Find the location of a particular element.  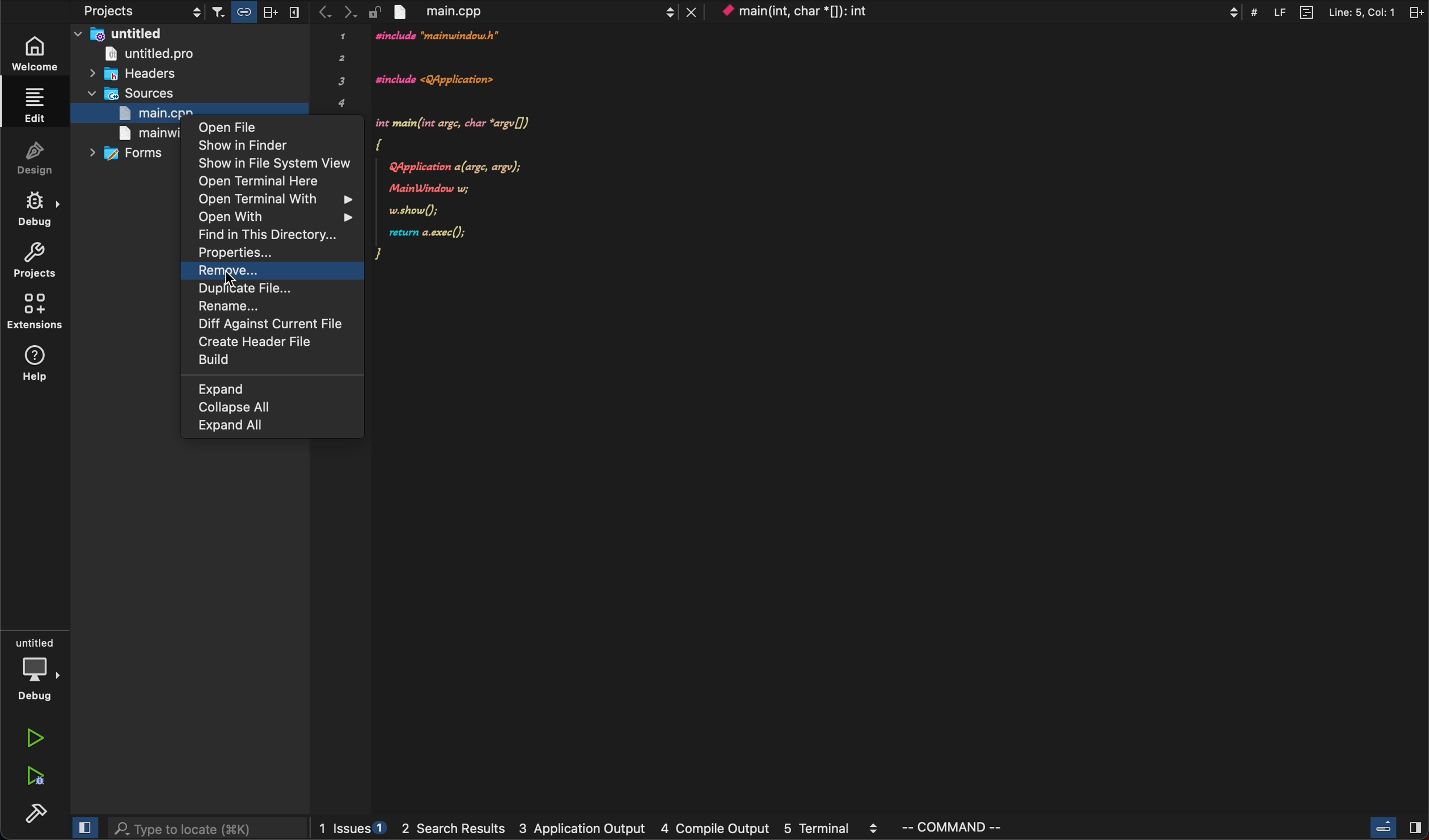

properties is located at coordinates (248, 253).